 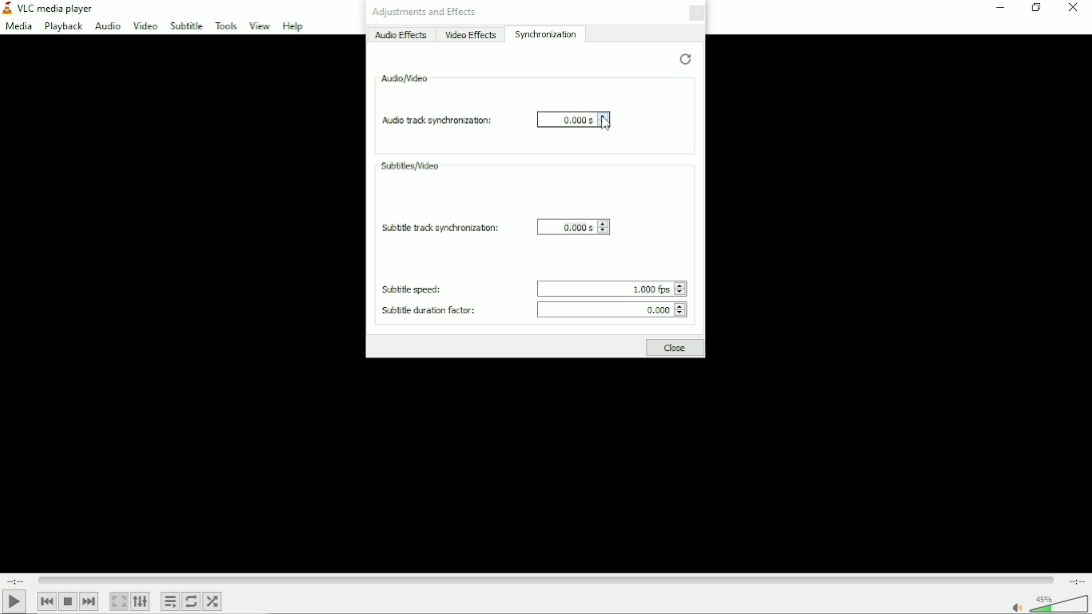 What do you see at coordinates (1071, 8) in the screenshot?
I see `Close` at bounding box center [1071, 8].